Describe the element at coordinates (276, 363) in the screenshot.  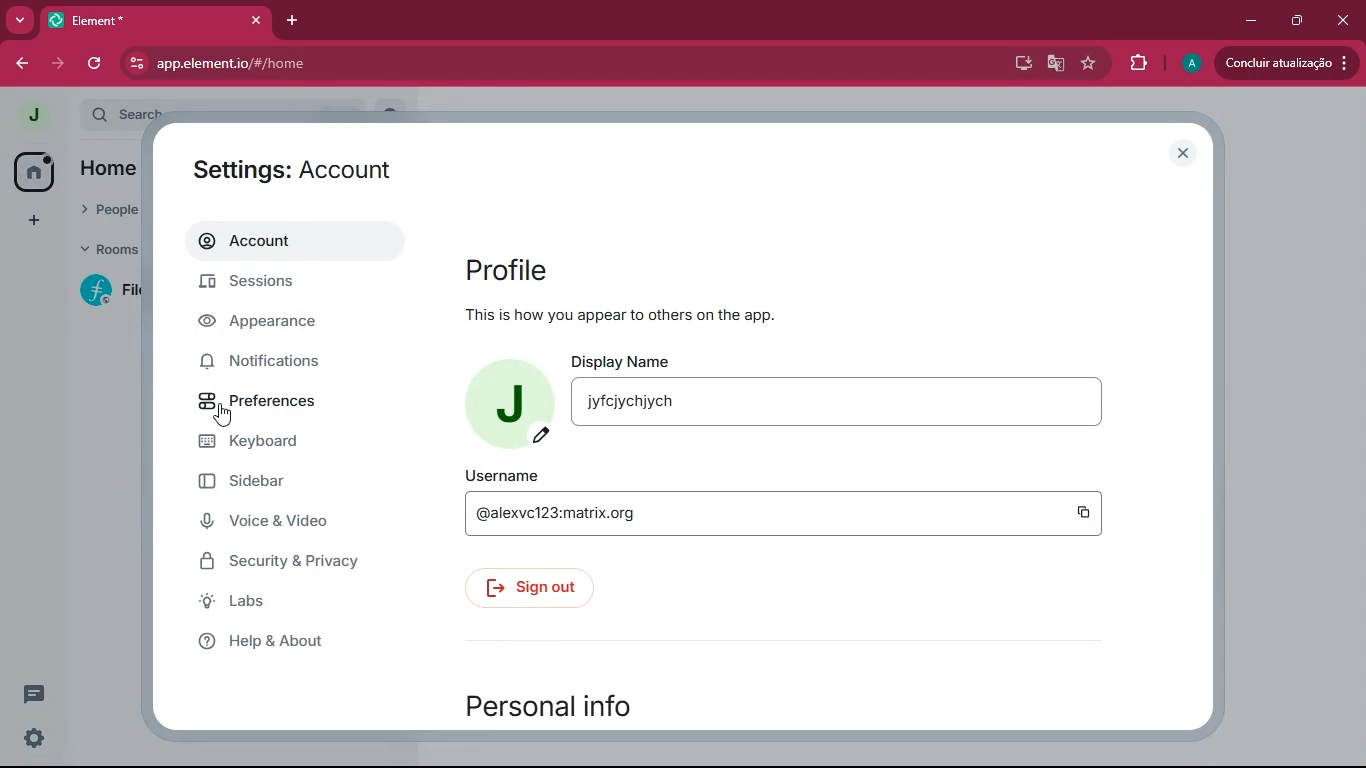
I see `notifications` at that location.